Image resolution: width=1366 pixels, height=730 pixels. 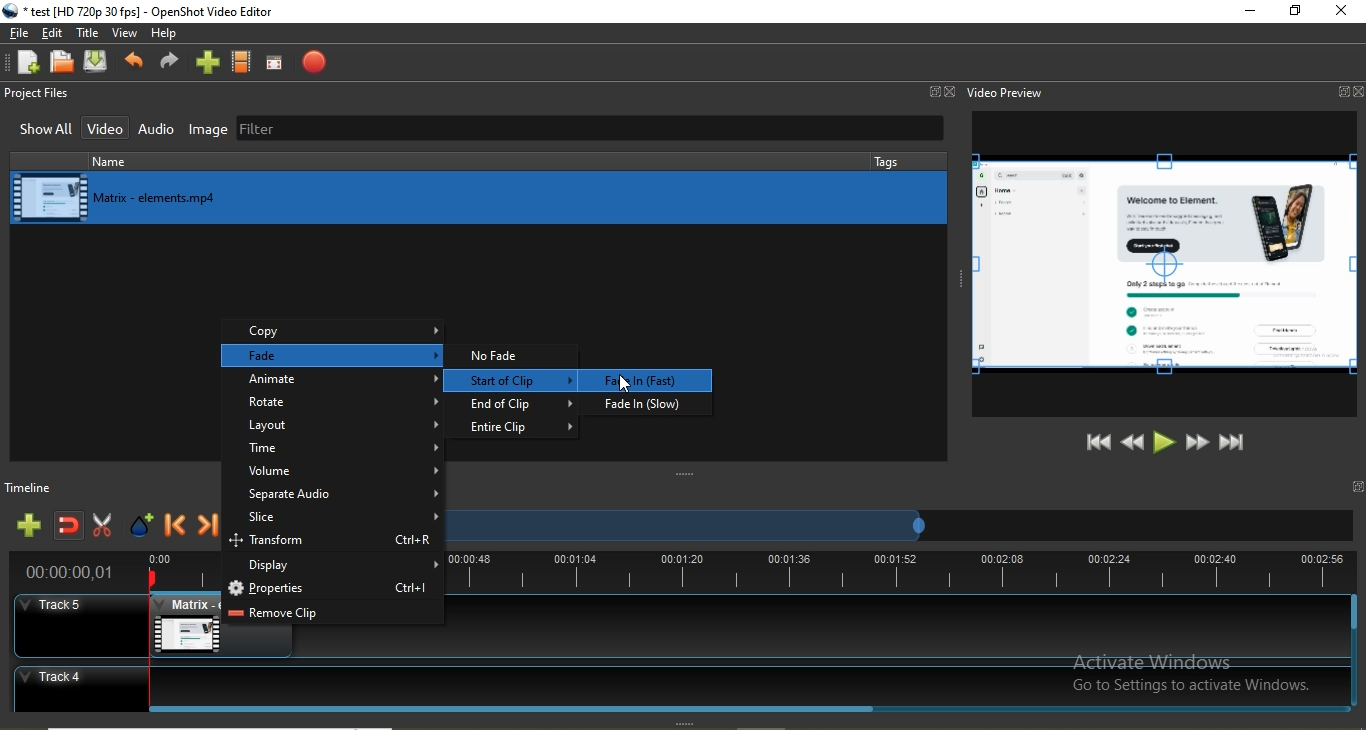 I want to click on Video preview, so click(x=1007, y=92).